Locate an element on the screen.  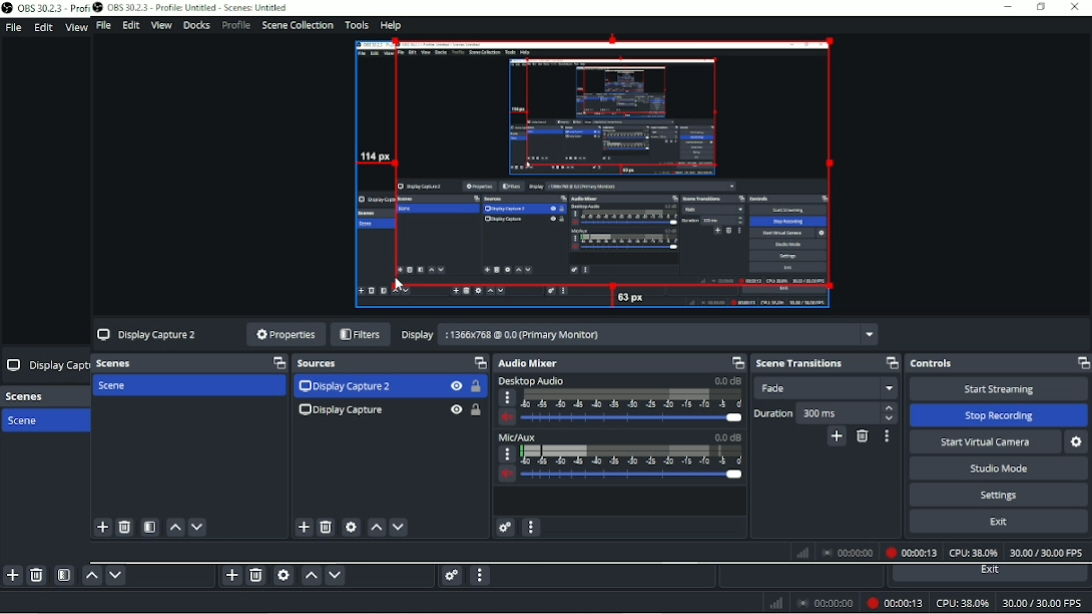
Desktop Audio is located at coordinates (536, 382).